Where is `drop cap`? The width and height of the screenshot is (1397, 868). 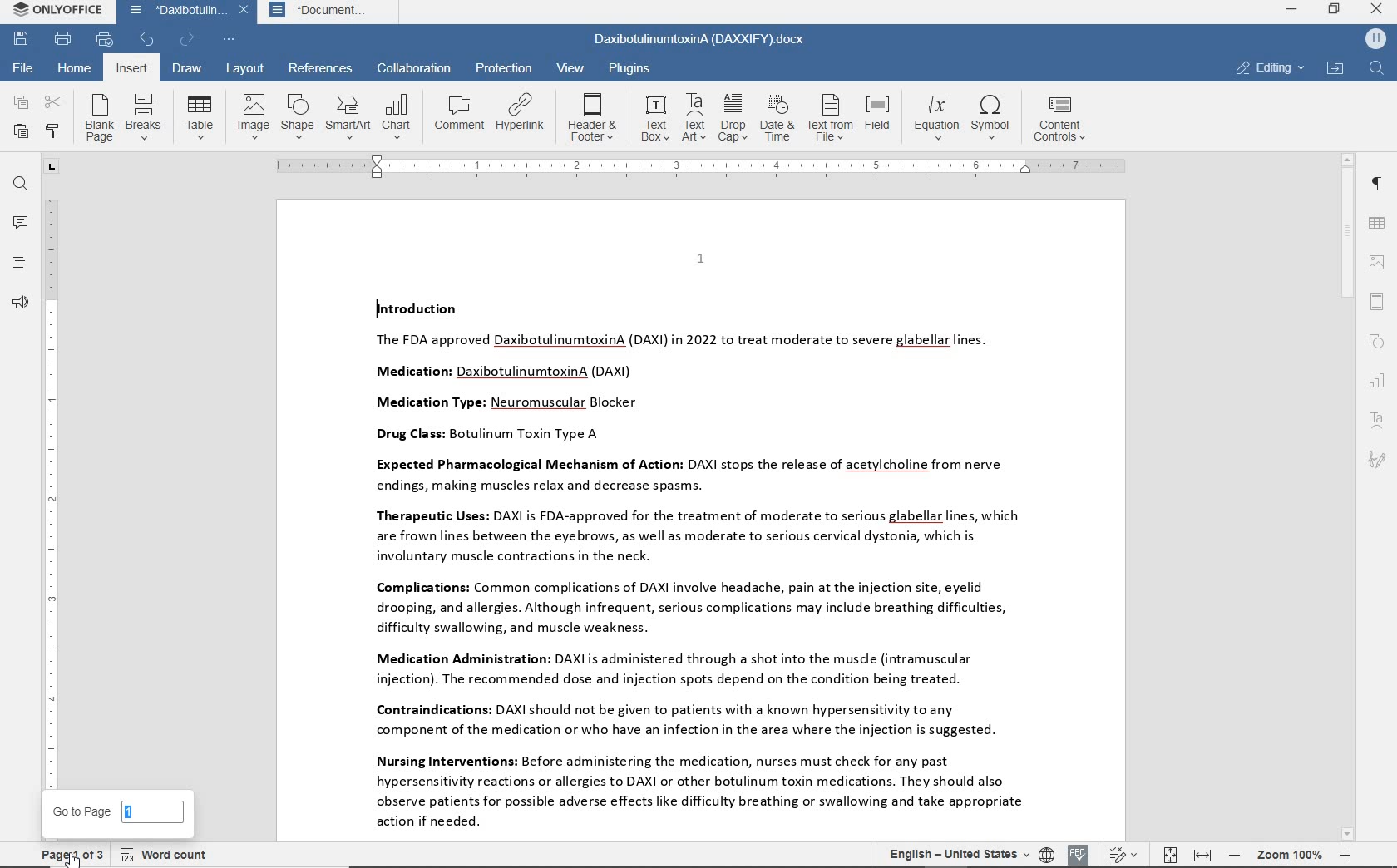 drop cap is located at coordinates (733, 116).